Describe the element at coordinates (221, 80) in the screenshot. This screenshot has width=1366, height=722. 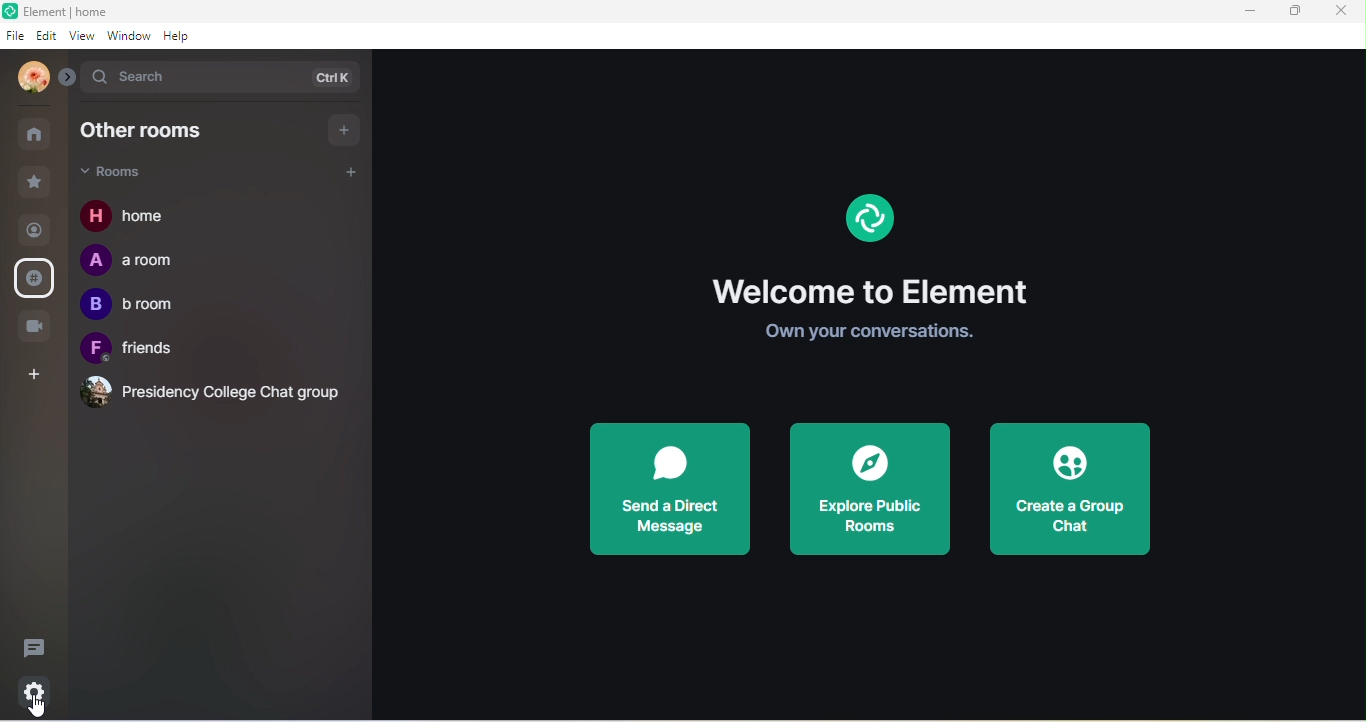
I see `search` at that location.